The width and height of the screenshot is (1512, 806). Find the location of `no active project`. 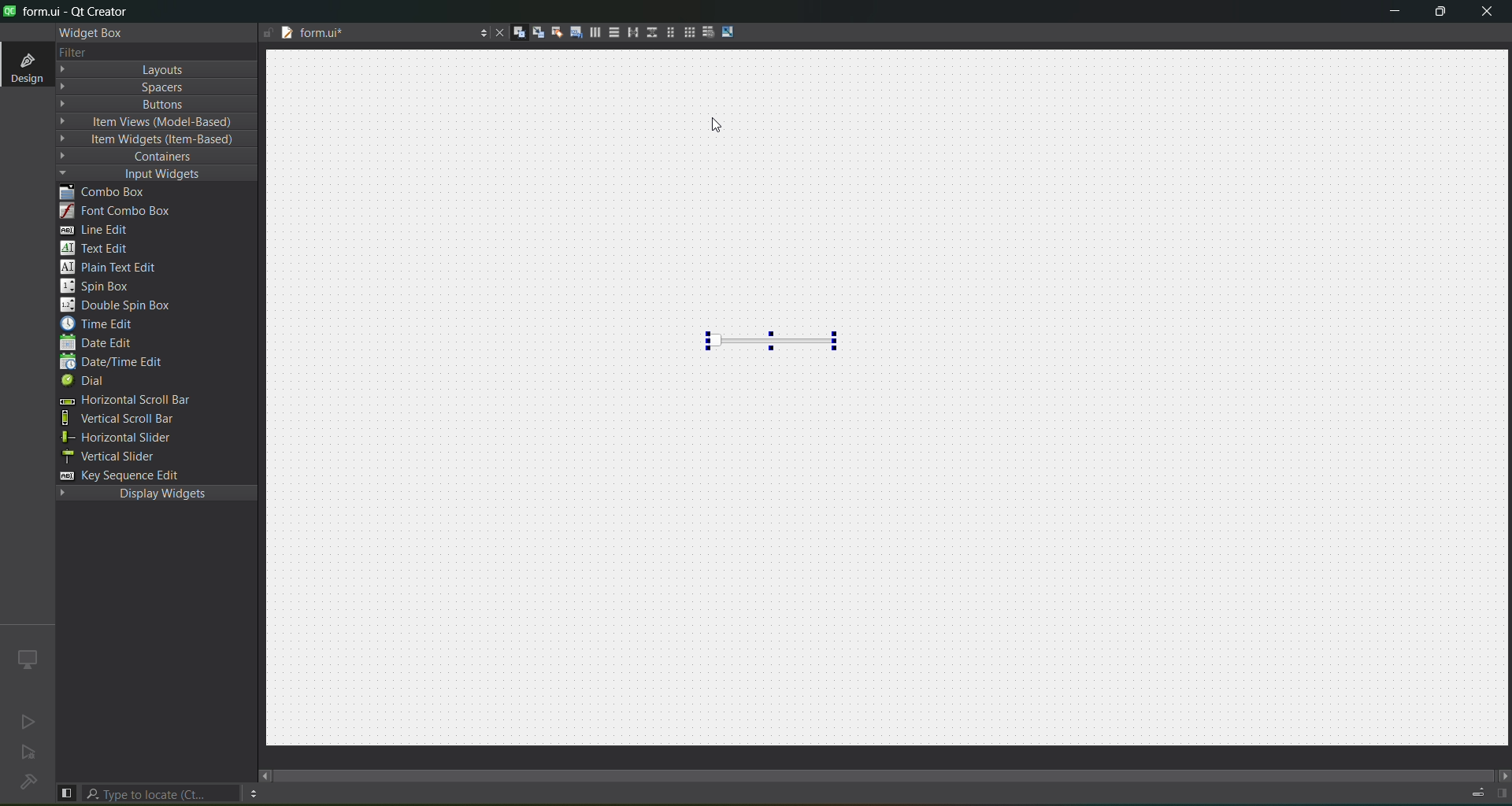

no active project is located at coordinates (28, 721).